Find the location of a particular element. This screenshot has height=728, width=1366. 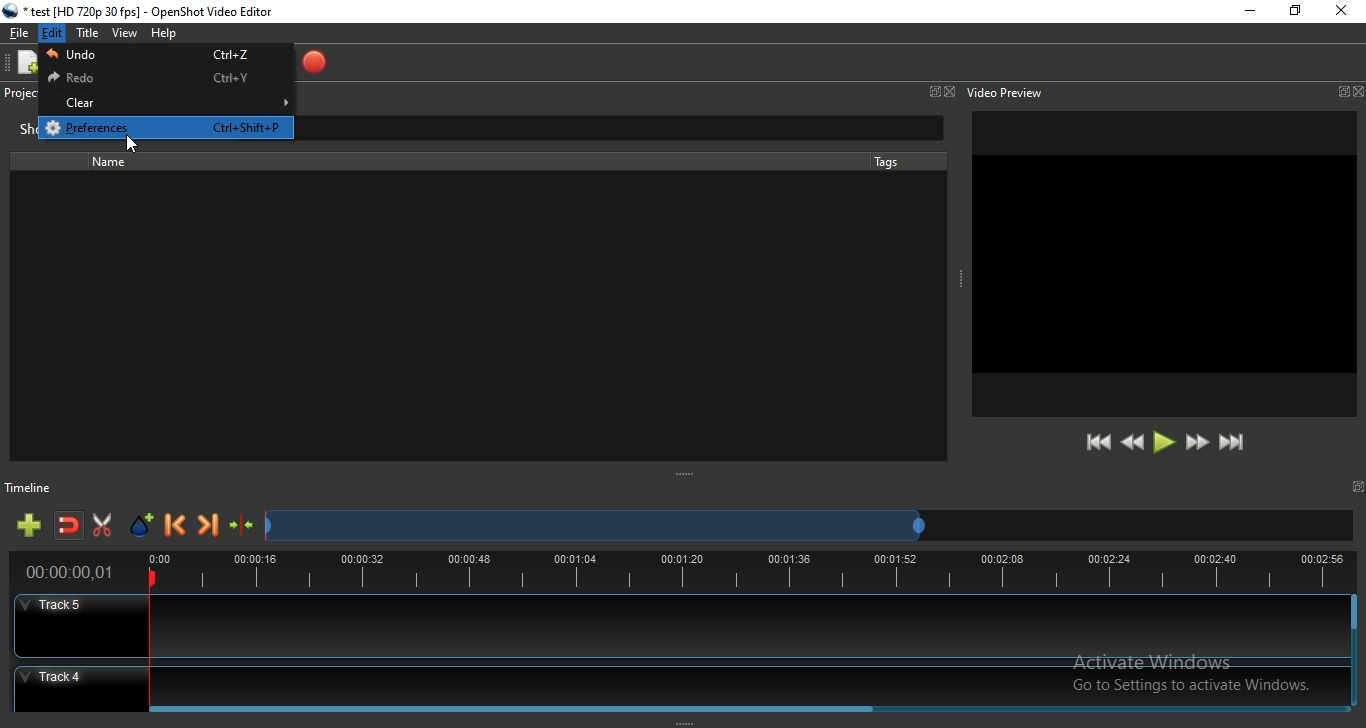

name is located at coordinates (116, 162).